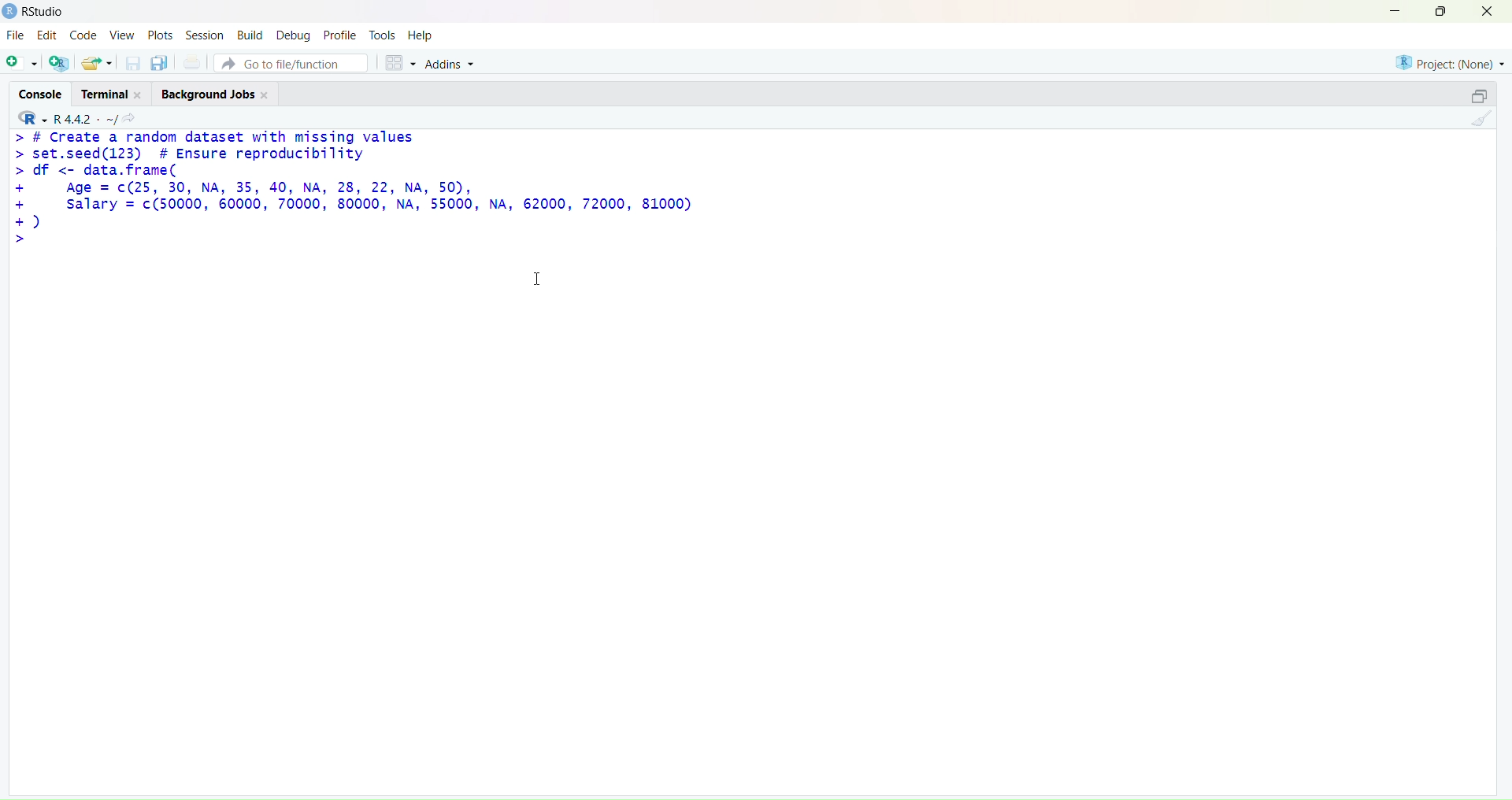 The height and width of the screenshot is (800, 1512). I want to click on create a new project, so click(58, 64).